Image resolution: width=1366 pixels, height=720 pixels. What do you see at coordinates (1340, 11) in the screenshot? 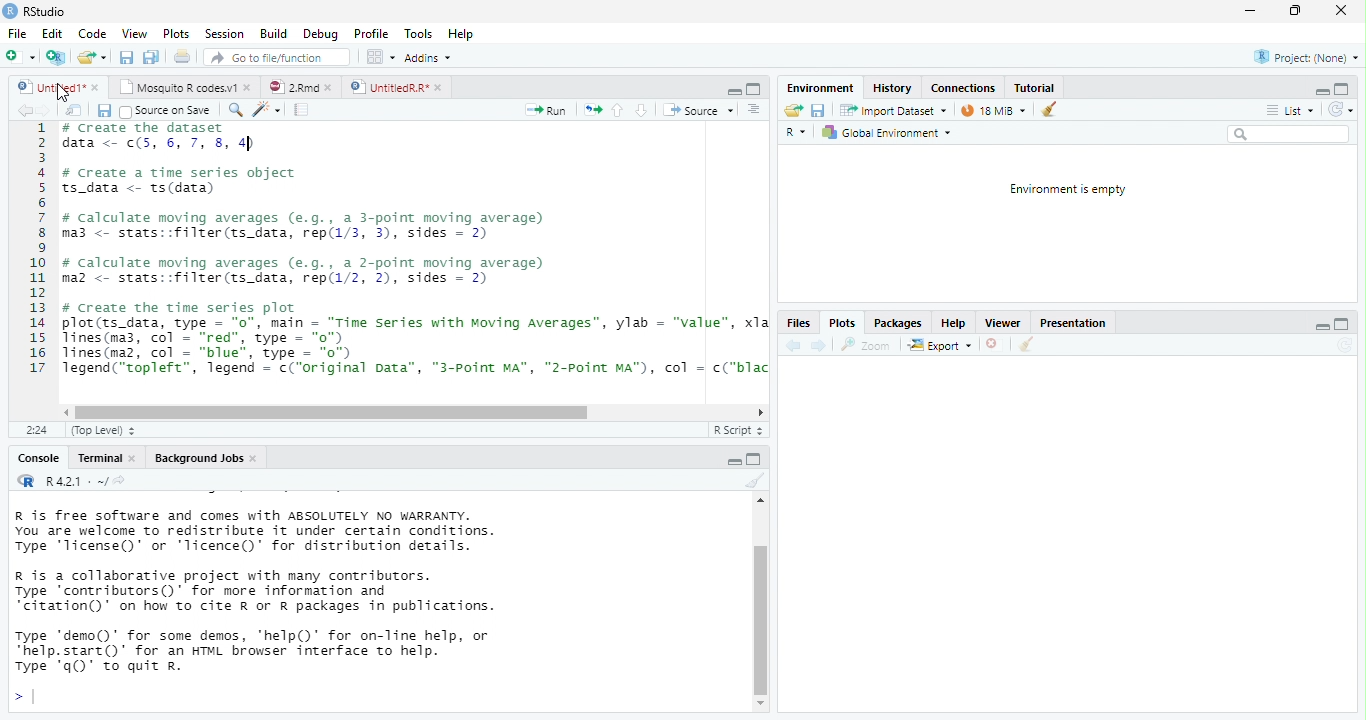
I see `close` at bounding box center [1340, 11].